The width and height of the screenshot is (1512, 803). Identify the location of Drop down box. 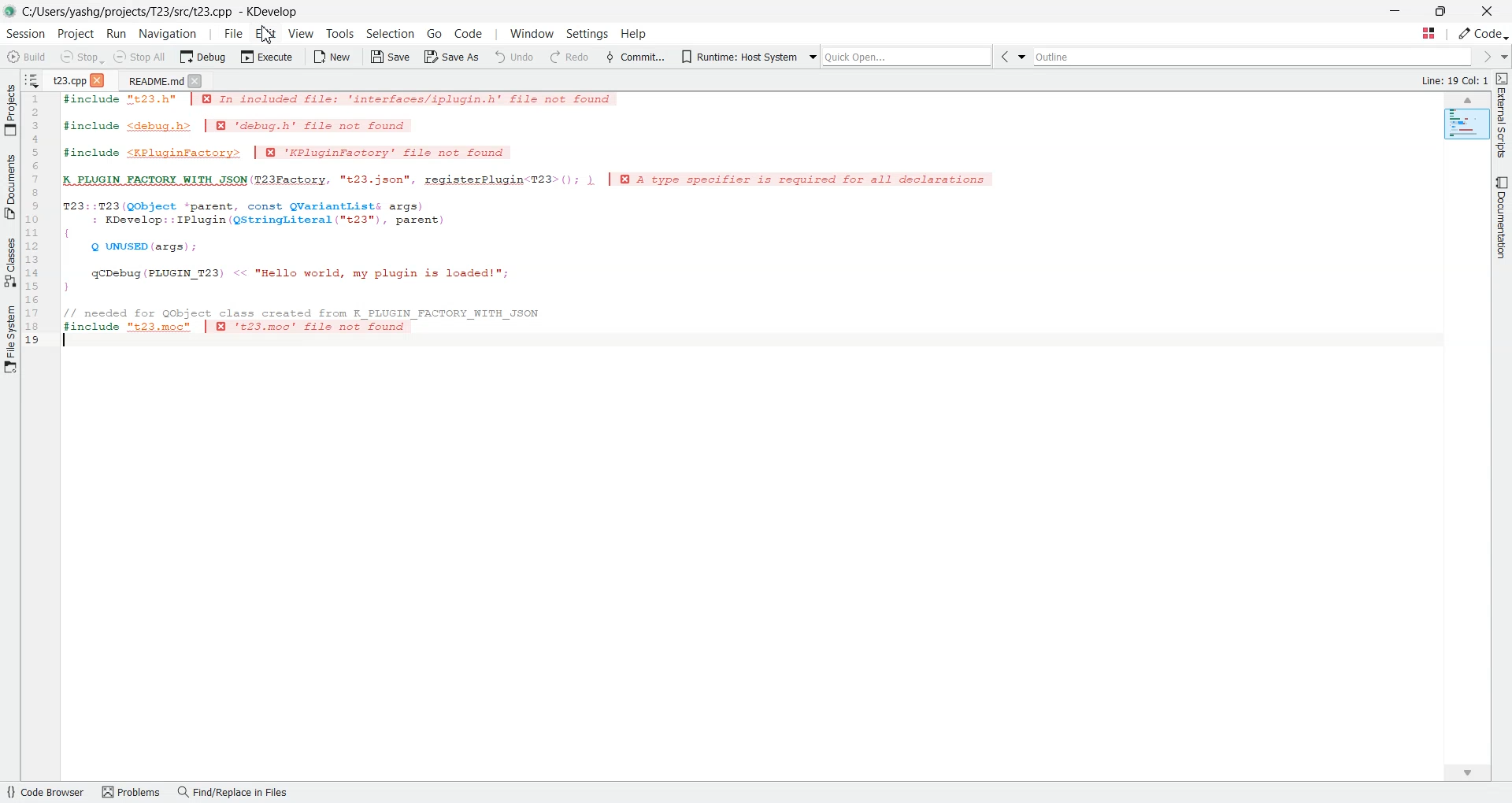
(810, 55).